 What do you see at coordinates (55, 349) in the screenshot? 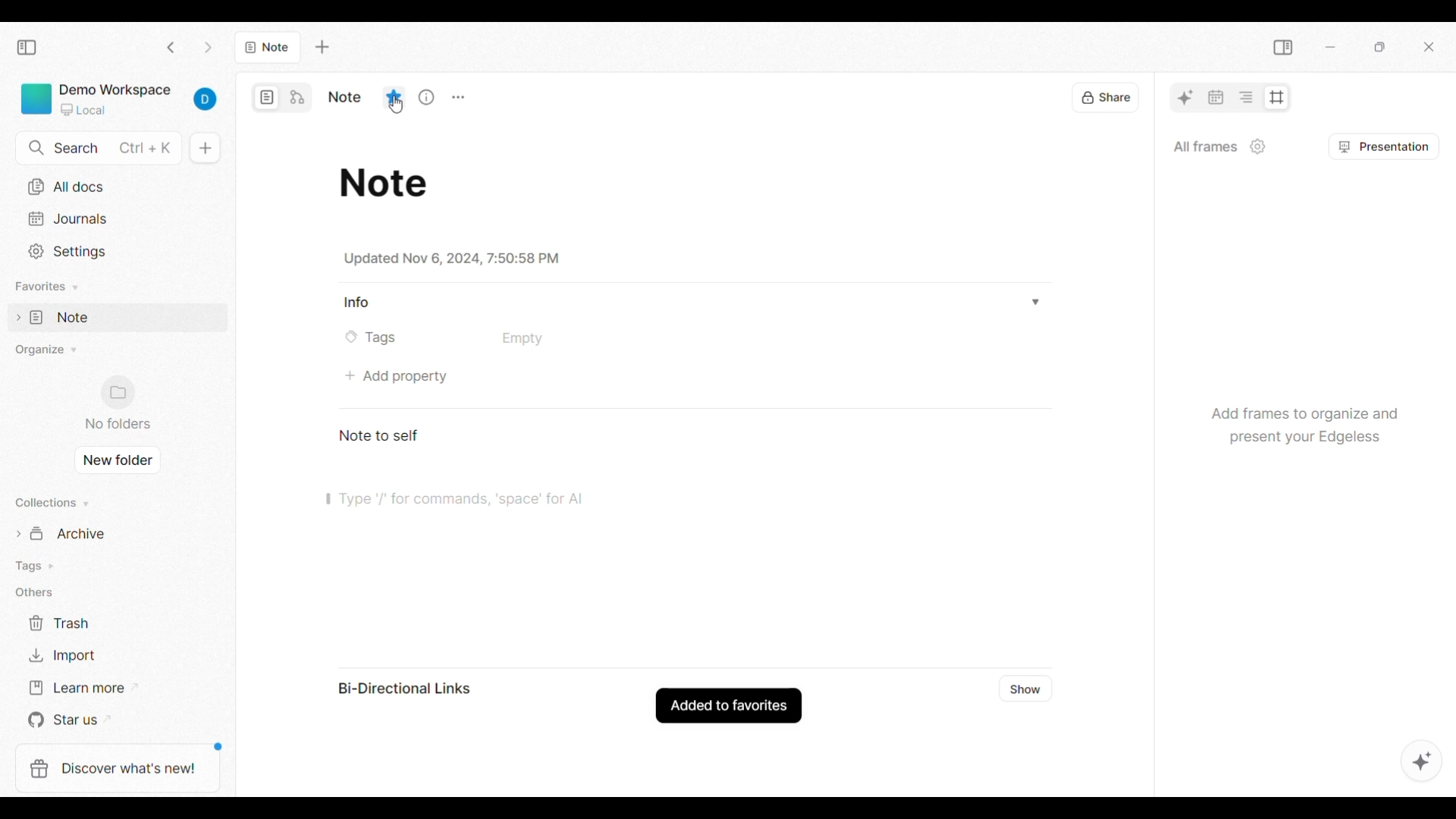
I see `Organize` at bounding box center [55, 349].